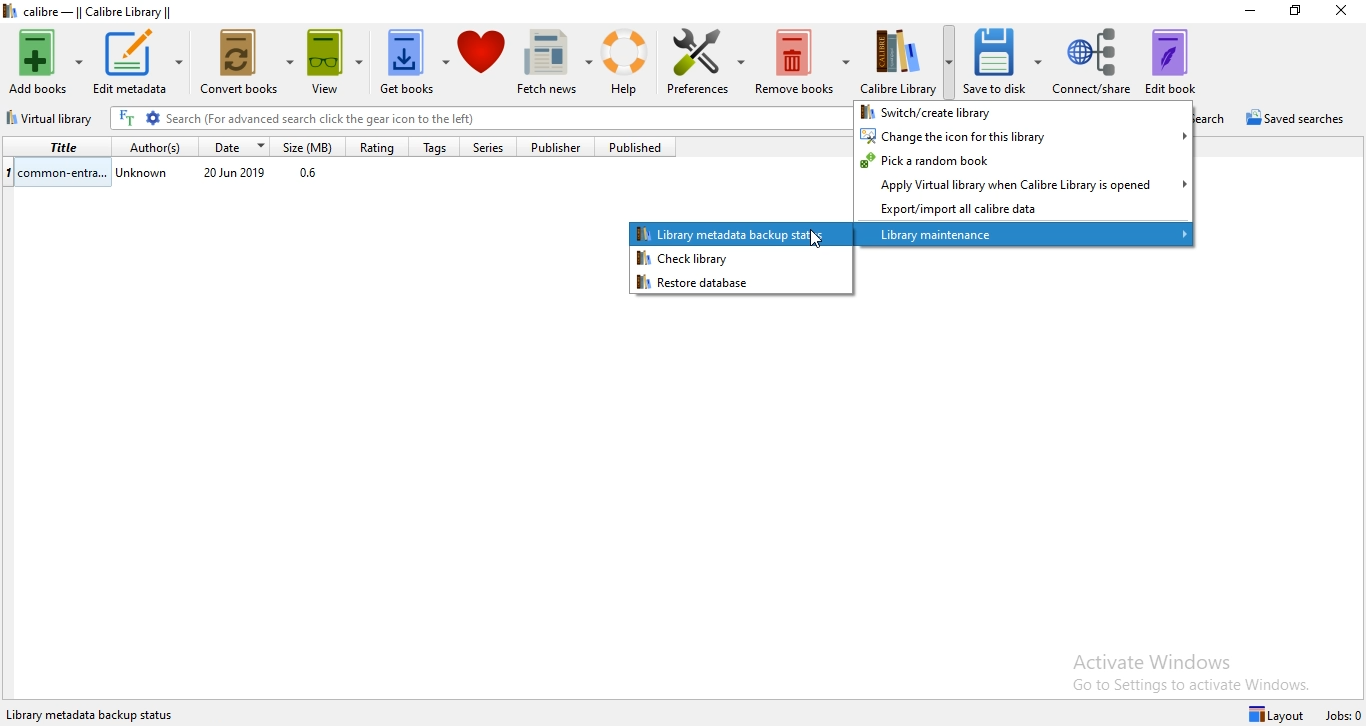 The width and height of the screenshot is (1366, 726). Describe the element at coordinates (248, 66) in the screenshot. I see `Convert books` at that location.